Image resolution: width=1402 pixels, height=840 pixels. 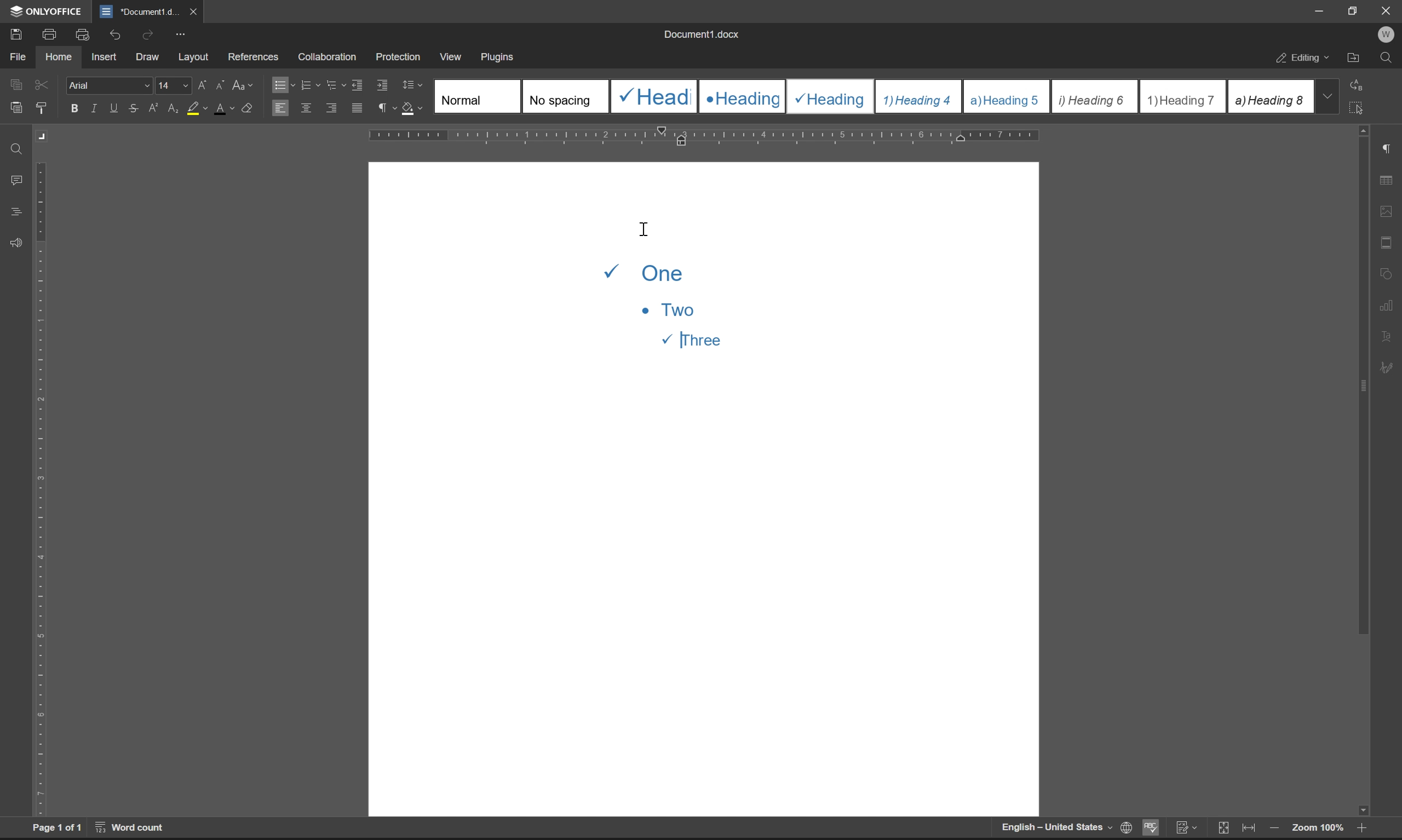 What do you see at coordinates (400, 56) in the screenshot?
I see `protection` at bounding box center [400, 56].